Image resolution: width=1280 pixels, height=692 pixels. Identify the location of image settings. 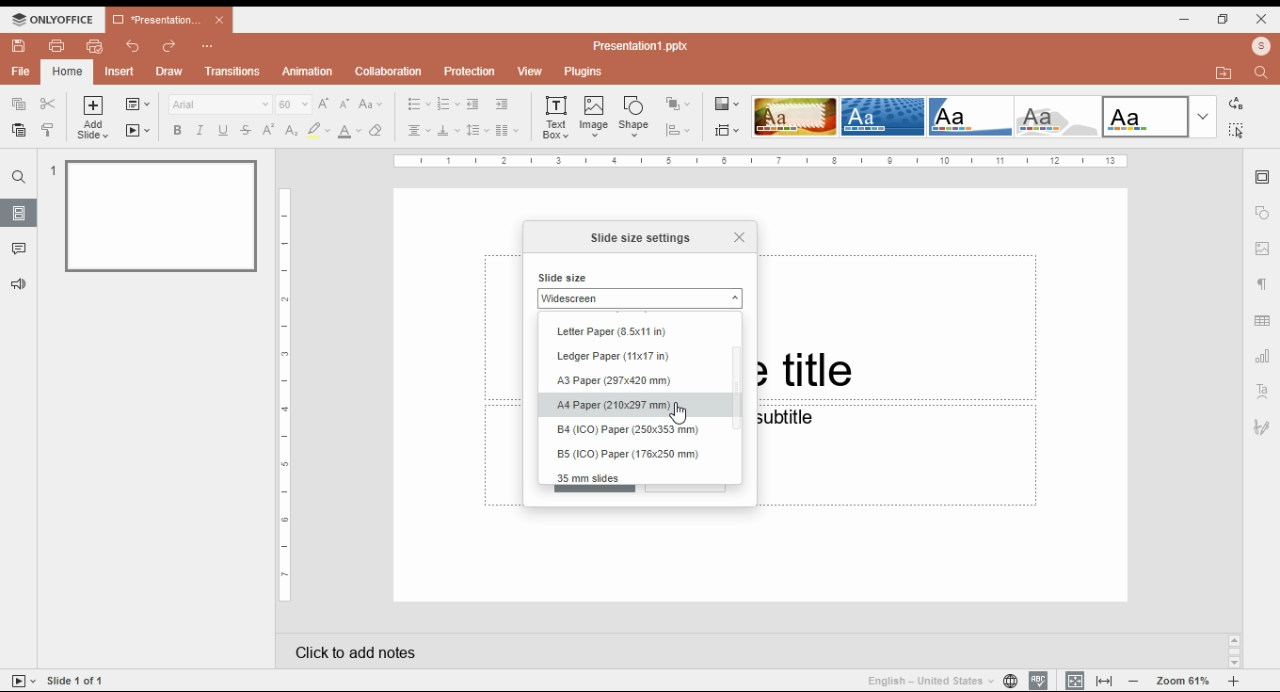
(1263, 250).